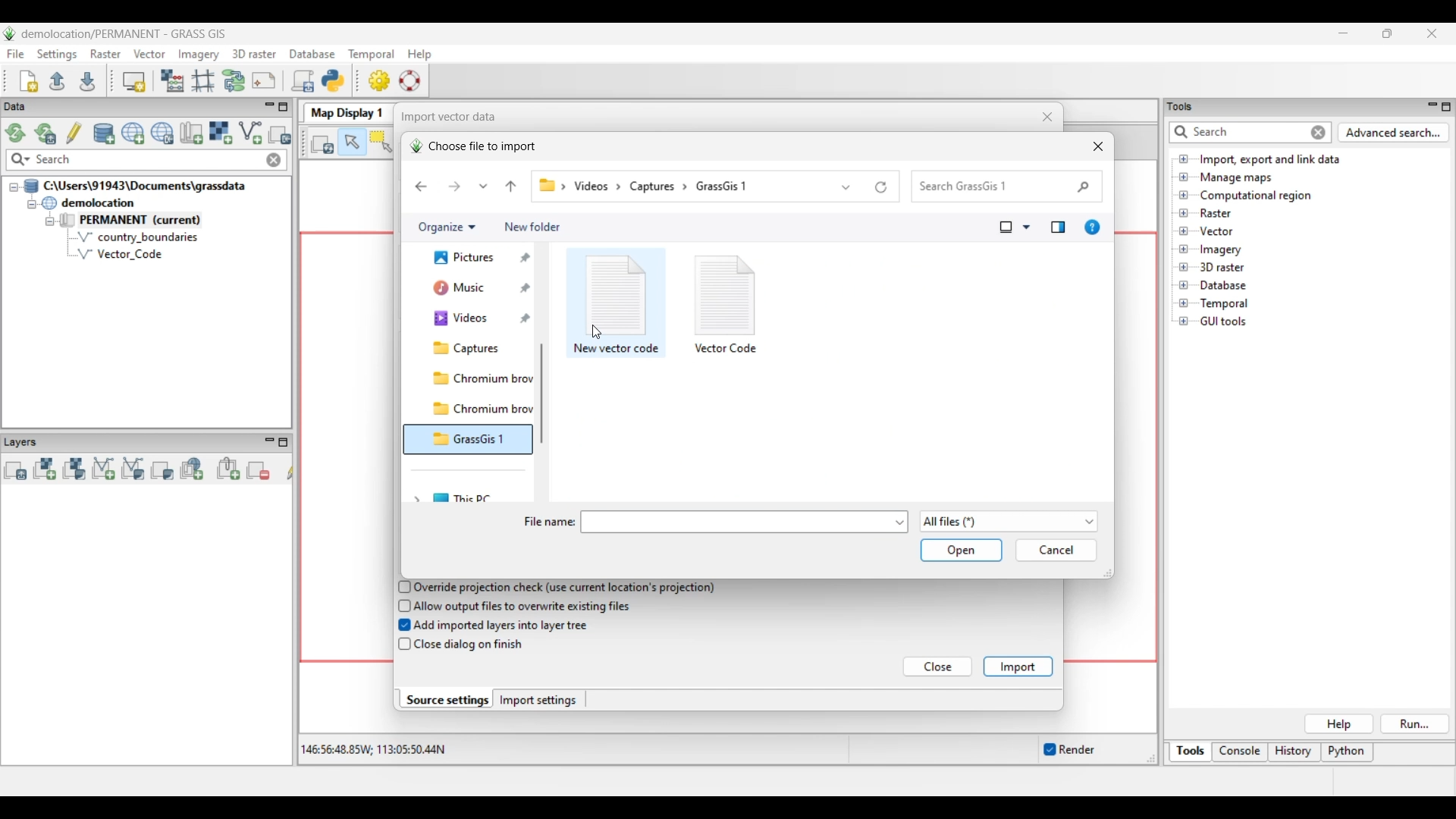 Image resolution: width=1456 pixels, height=819 pixels. Describe the element at coordinates (471, 645) in the screenshot. I see `Close dialog on finish` at that location.